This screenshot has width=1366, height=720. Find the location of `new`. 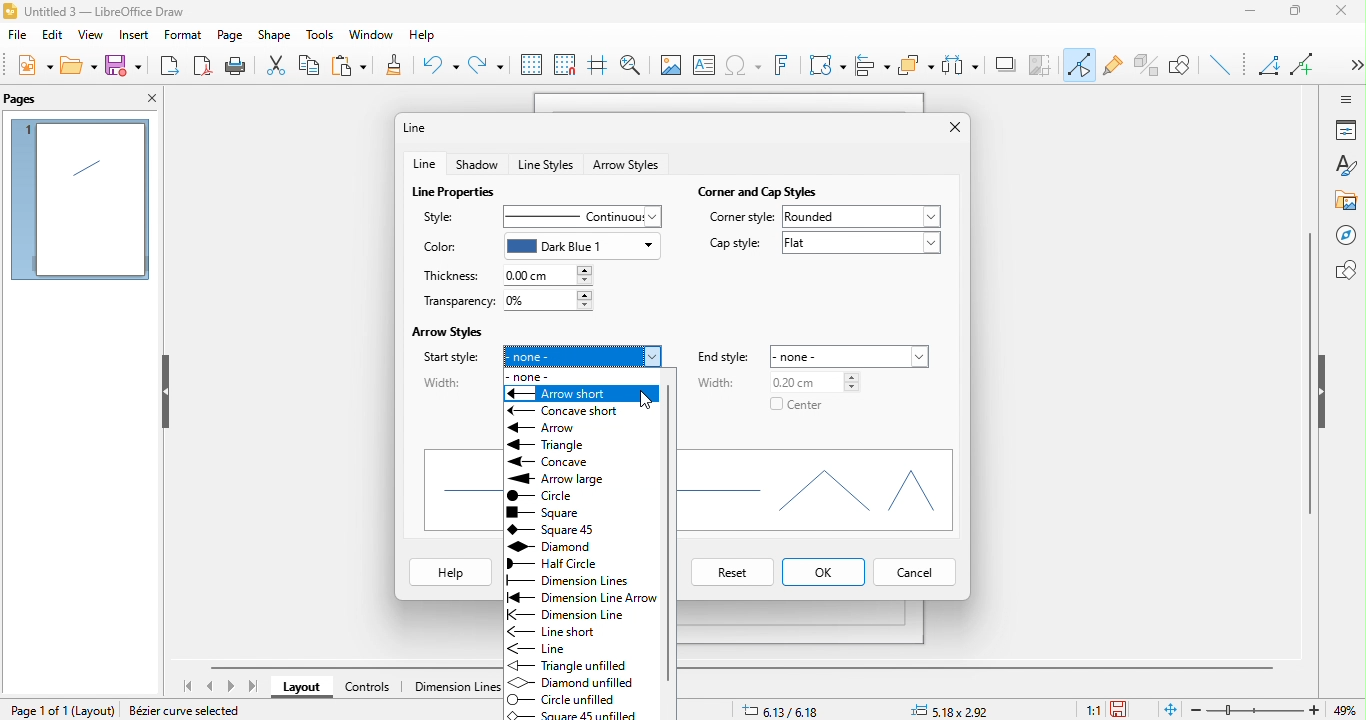

new is located at coordinates (32, 68).